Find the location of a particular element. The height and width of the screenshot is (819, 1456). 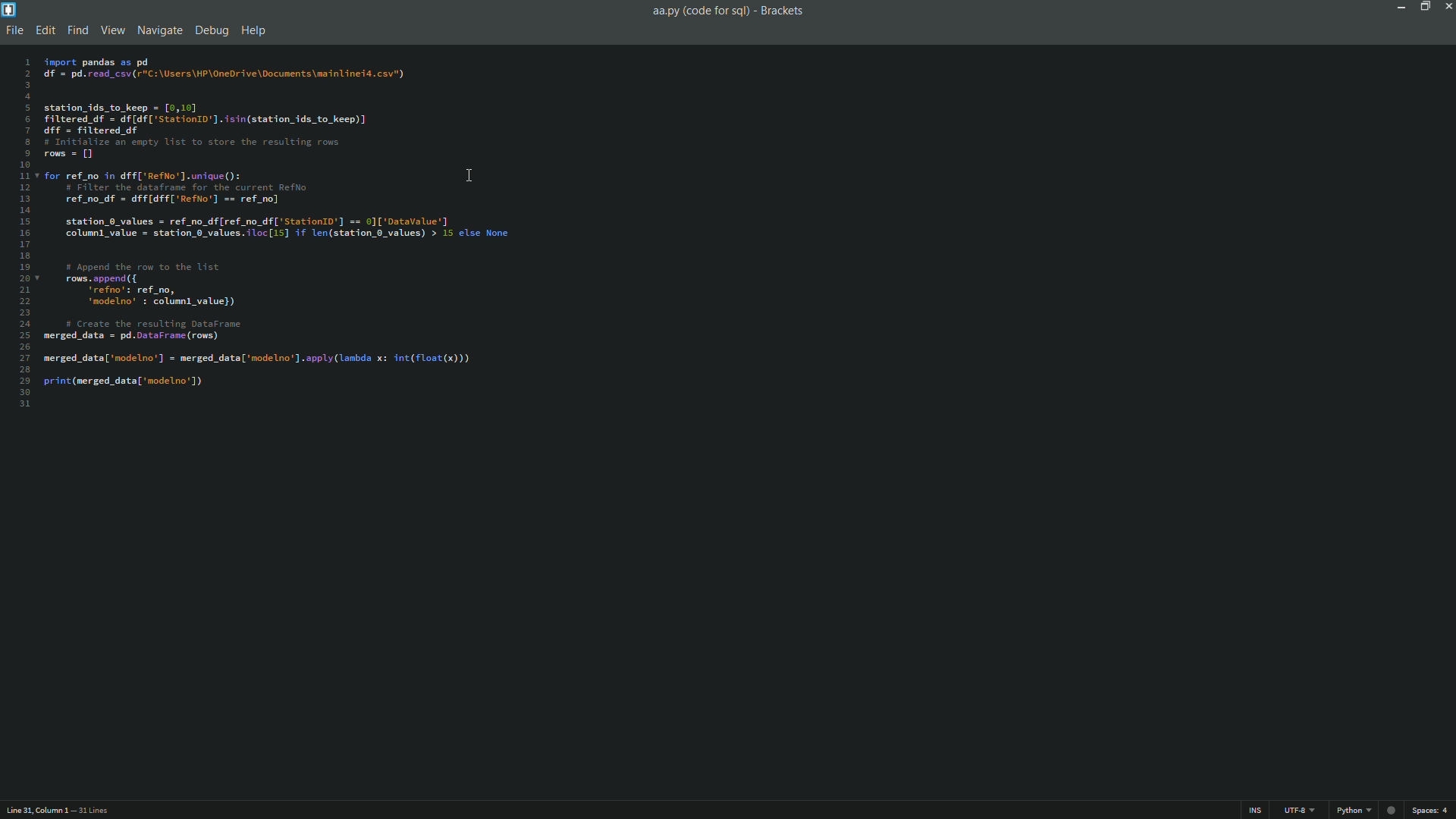

Line numbers is located at coordinates (15, 231).